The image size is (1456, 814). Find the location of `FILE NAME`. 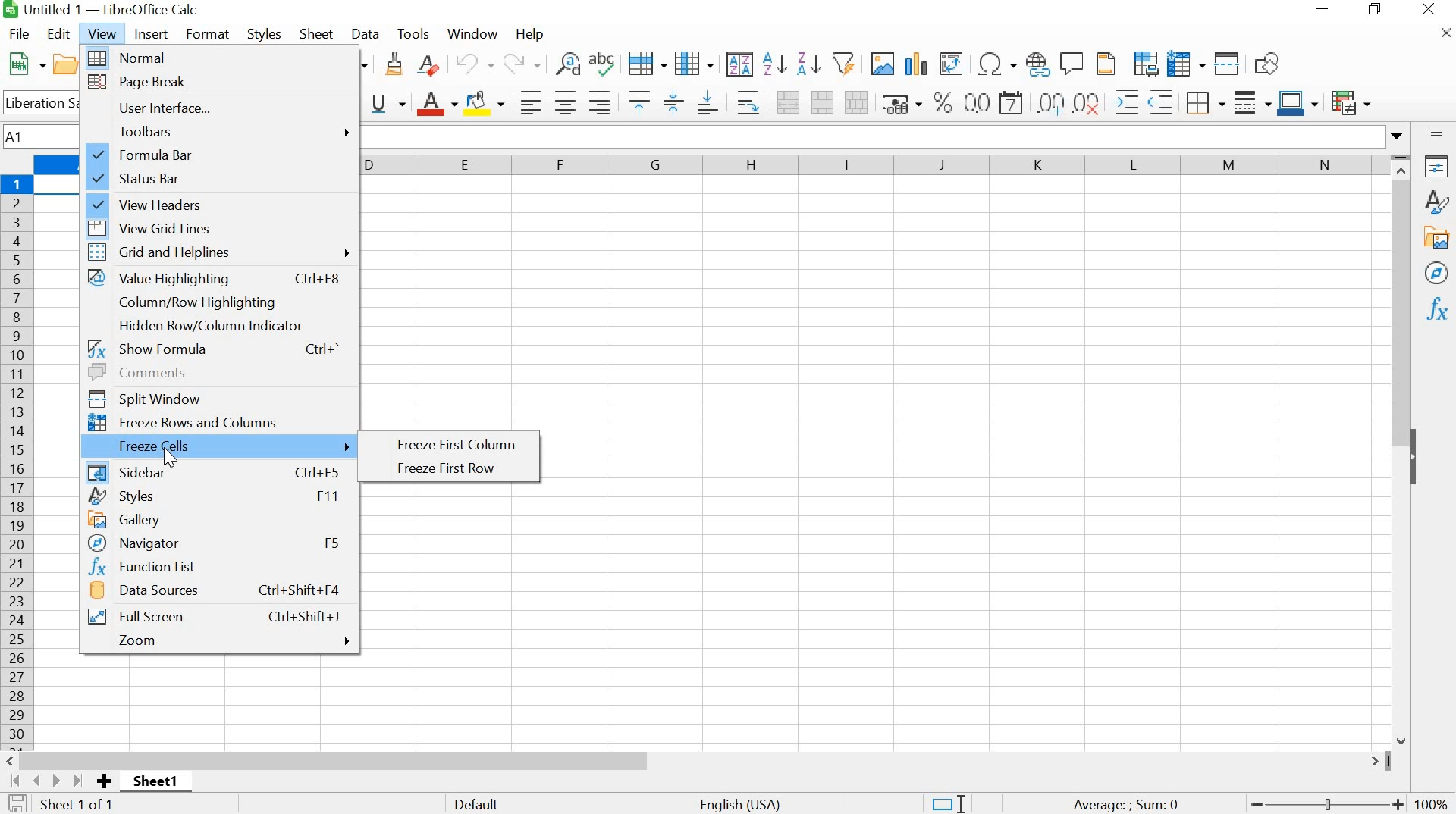

FILE NAME is located at coordinates (103, 11).